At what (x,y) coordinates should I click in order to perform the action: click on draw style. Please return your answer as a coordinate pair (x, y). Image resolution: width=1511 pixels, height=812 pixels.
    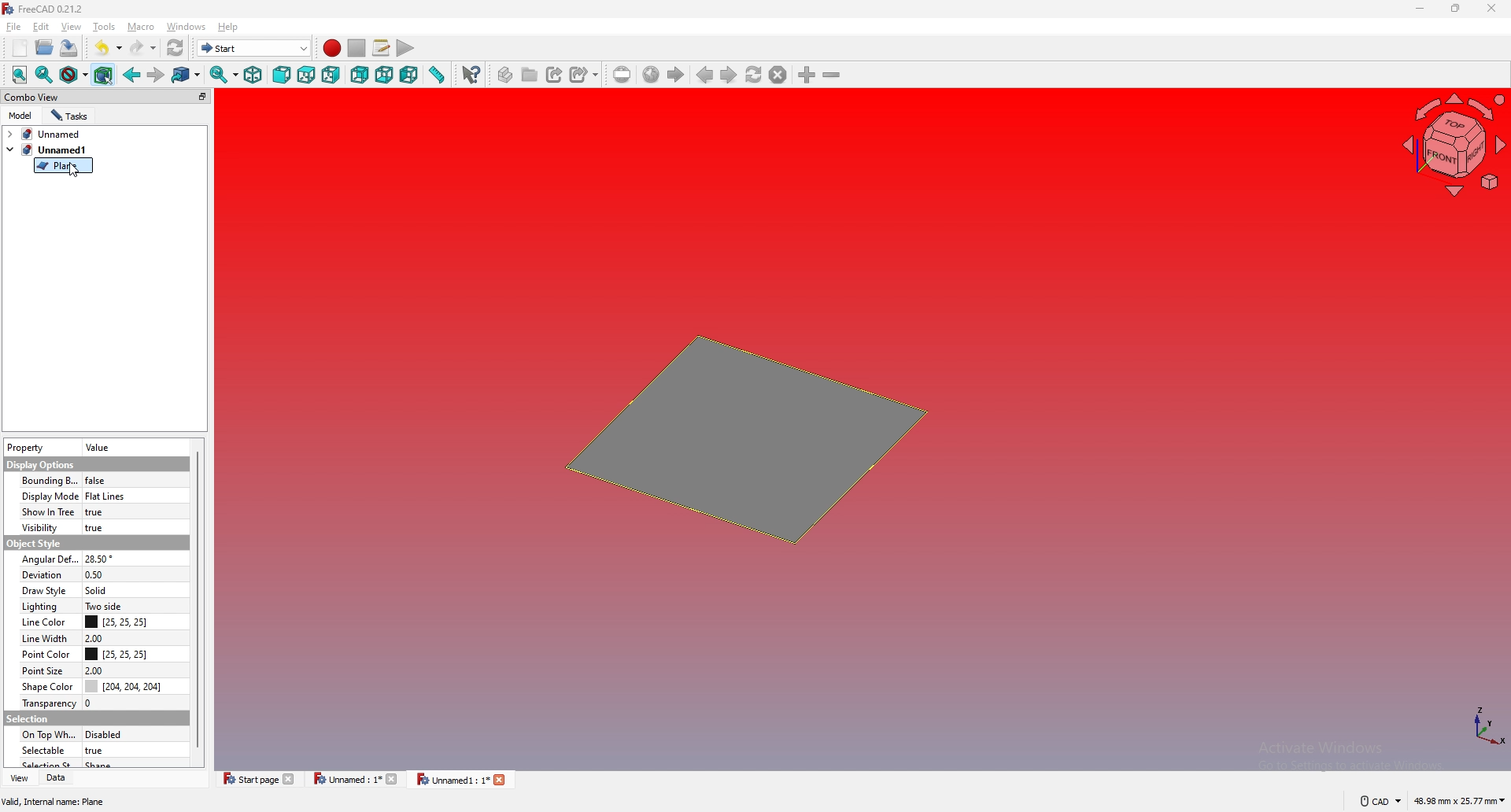
    Looking at the image, I should click on (42, 590).